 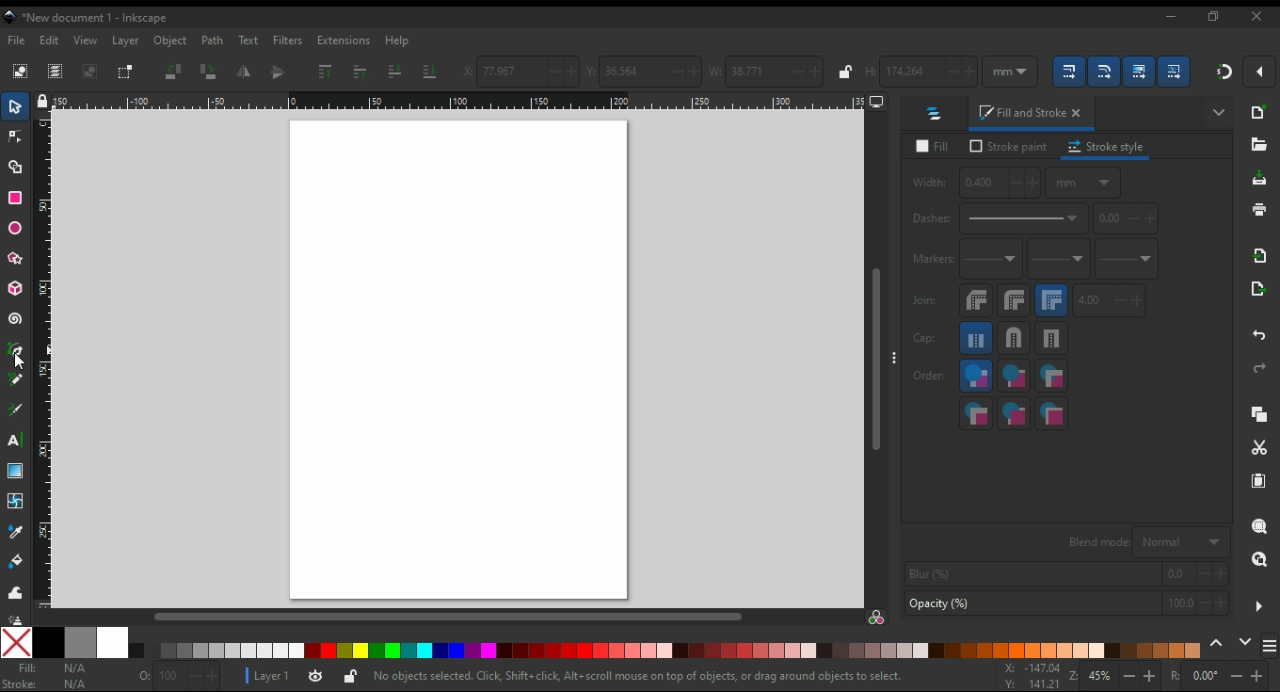 What do you see at coordinates (1146, 542) in the screenshot?
I see `blend mode` at bounding box center [1146, 542].